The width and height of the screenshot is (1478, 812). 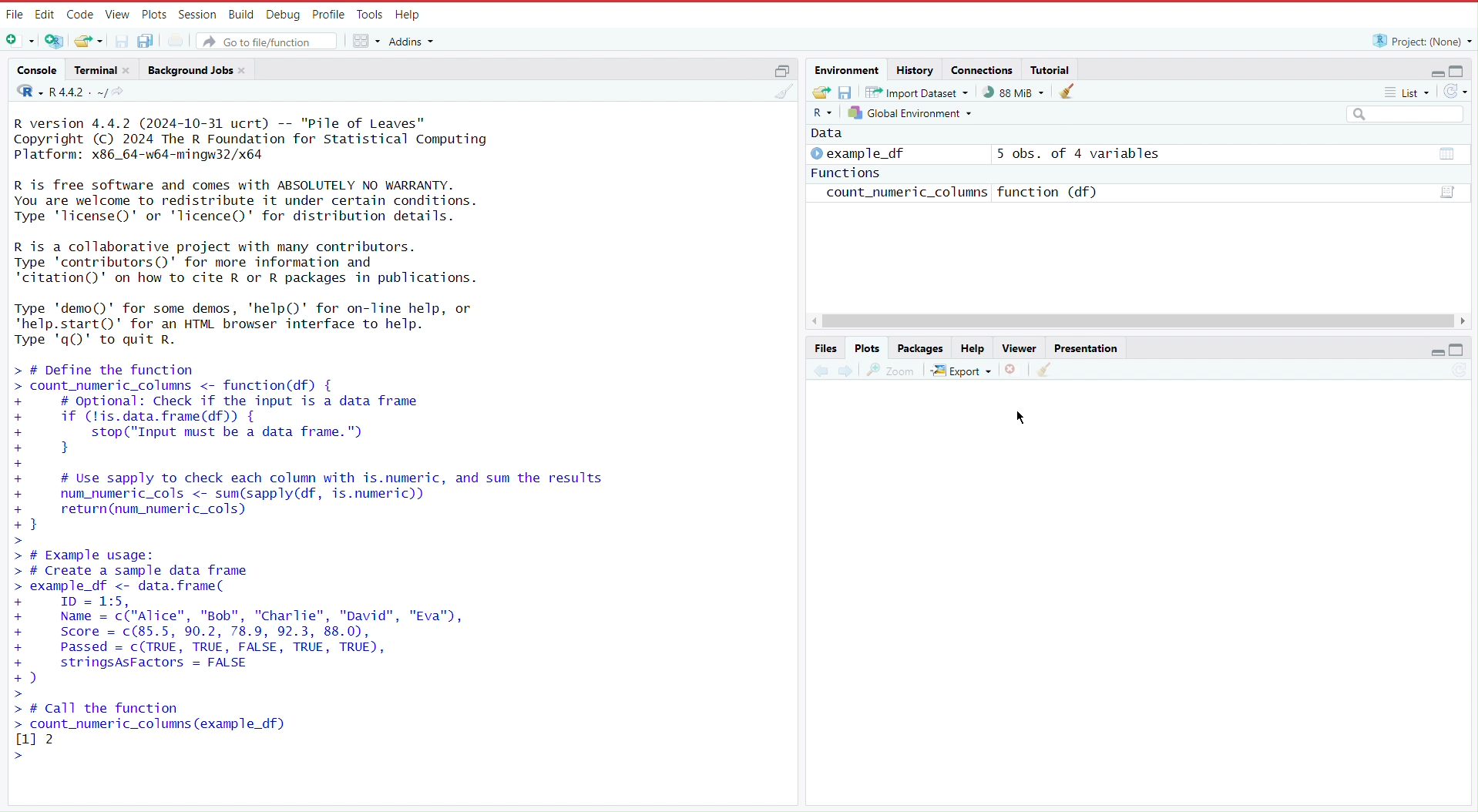 I want to click on Close, so click(x=1013, y=368).